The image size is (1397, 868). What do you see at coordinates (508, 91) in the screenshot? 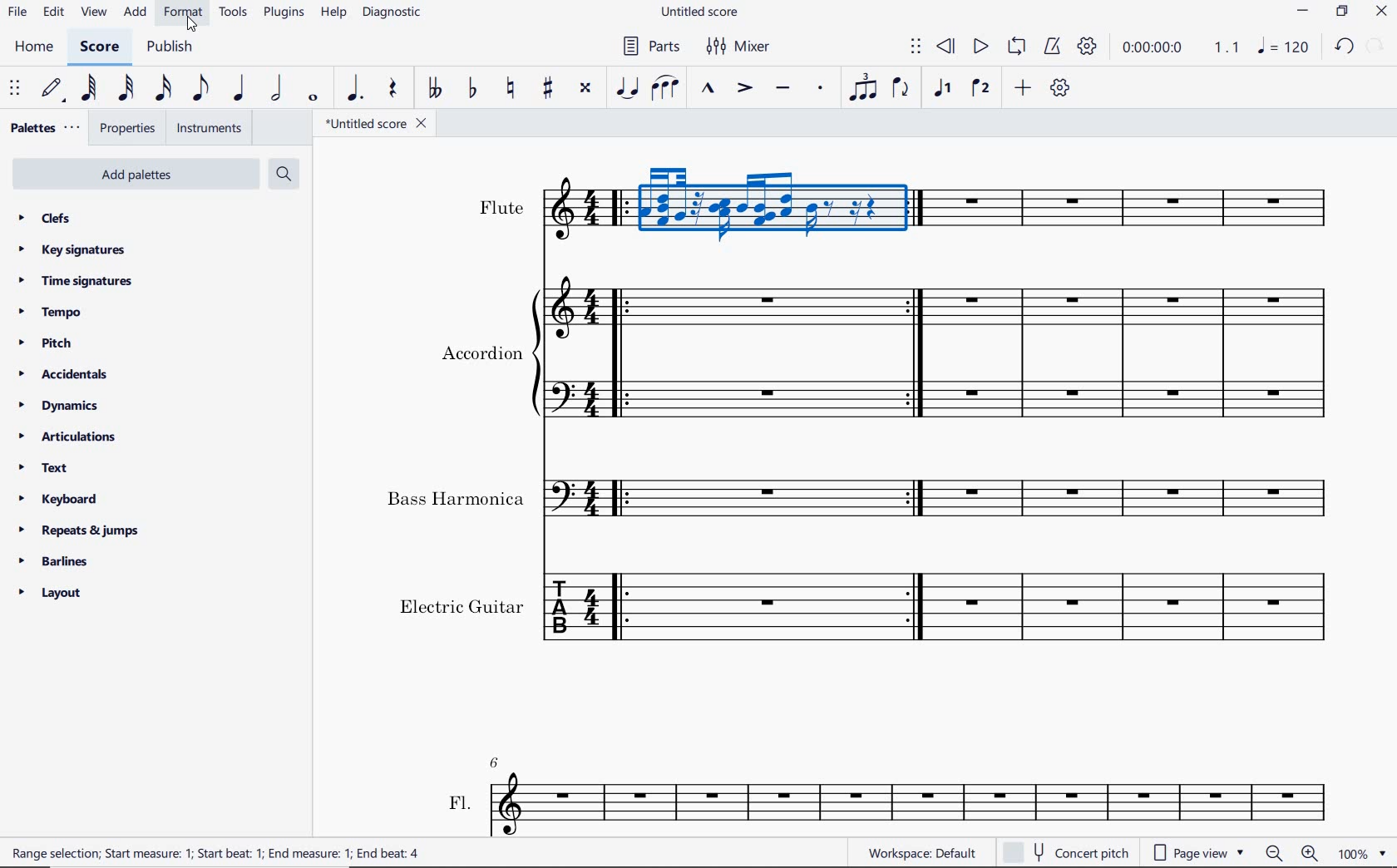
I see `toggle natural` at bounding box center [508, 91].